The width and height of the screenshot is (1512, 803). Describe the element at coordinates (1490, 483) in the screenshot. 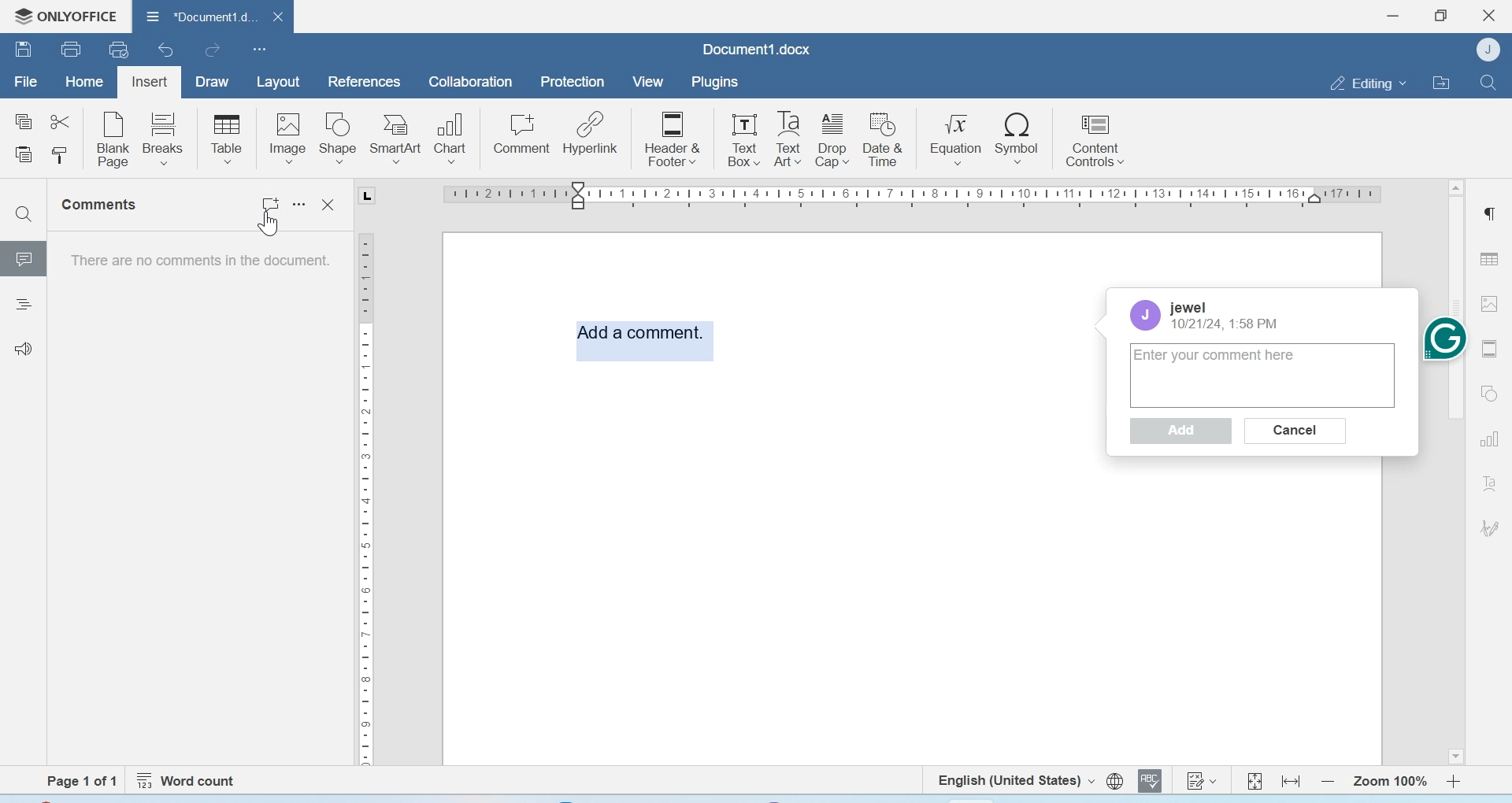

I see `Text` at that location.